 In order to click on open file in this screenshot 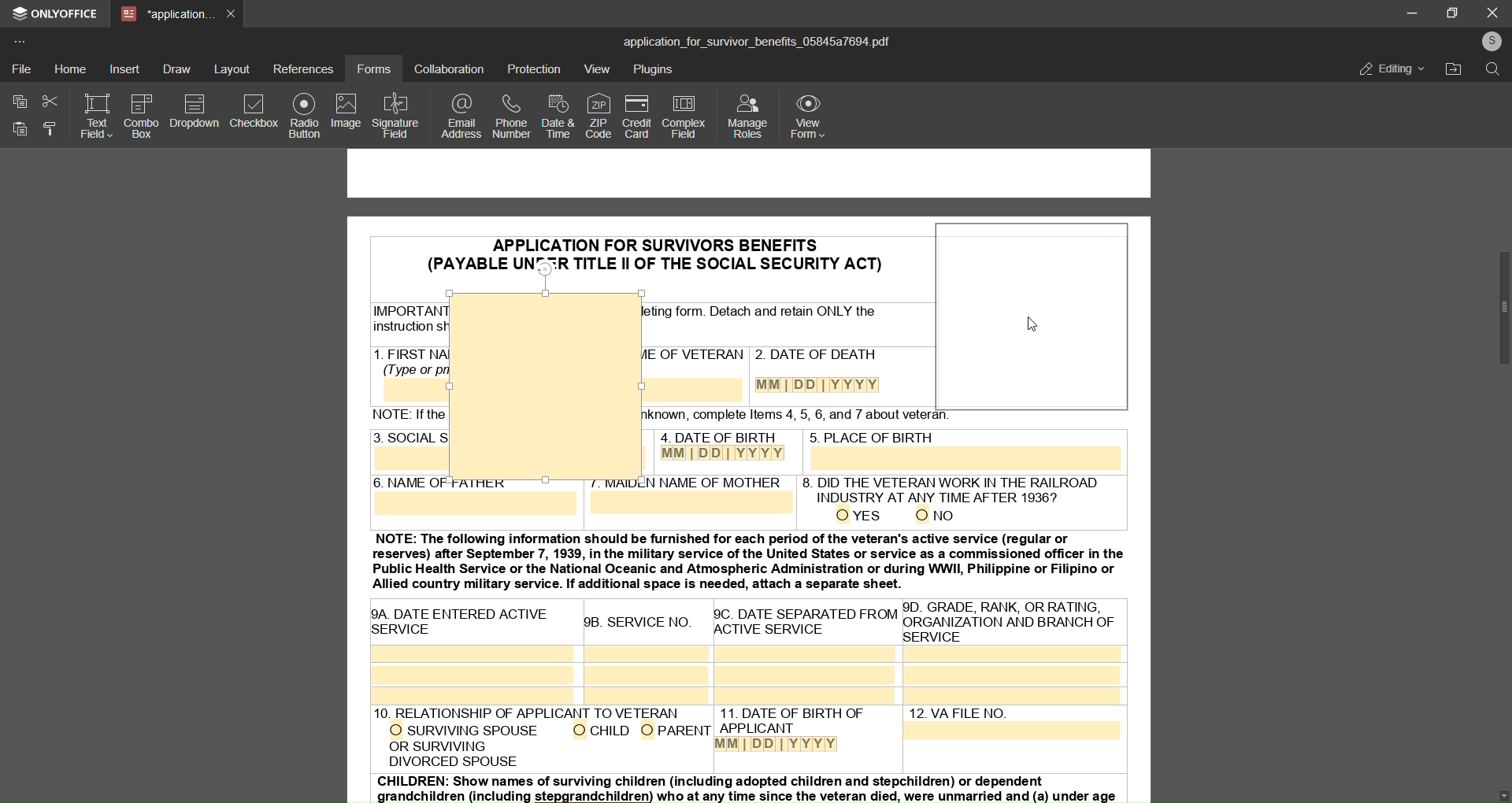, I will do `click(1455, 70)`.